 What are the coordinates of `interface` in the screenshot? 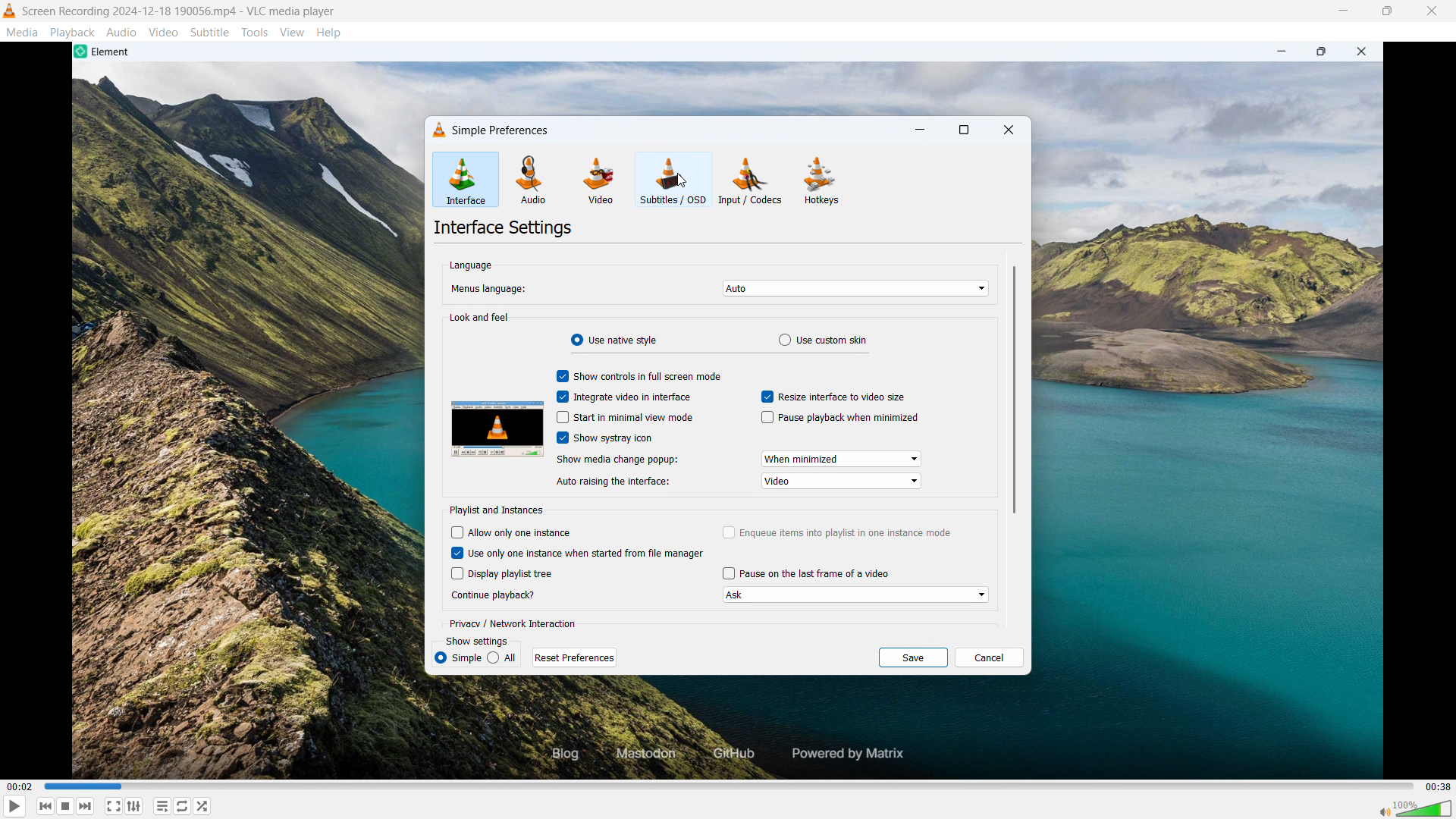 It's located at (464, 180).